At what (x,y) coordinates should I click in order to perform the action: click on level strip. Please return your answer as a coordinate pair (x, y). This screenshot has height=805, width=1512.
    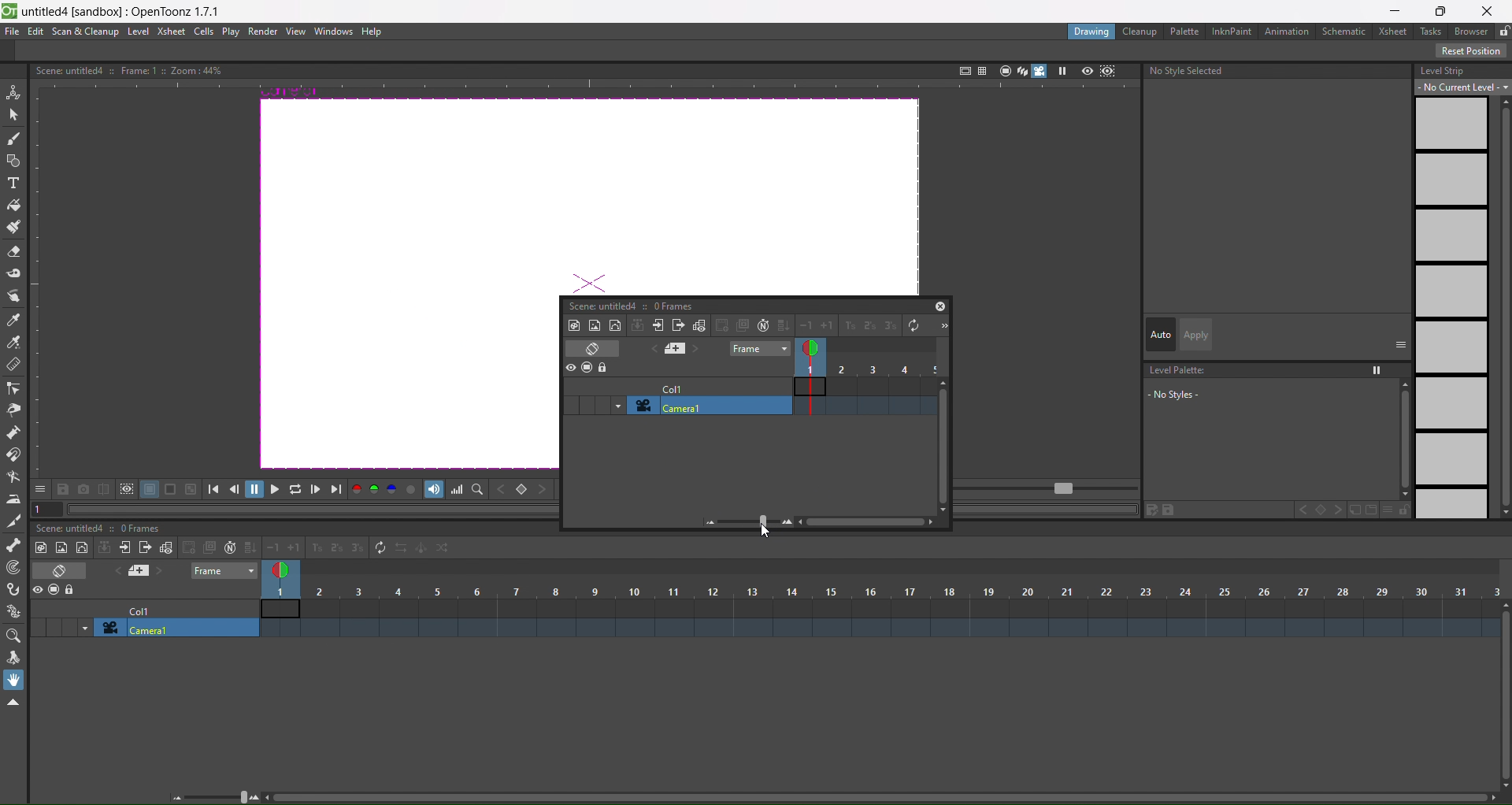
    Looking at the image, I should click on (1459, 288).